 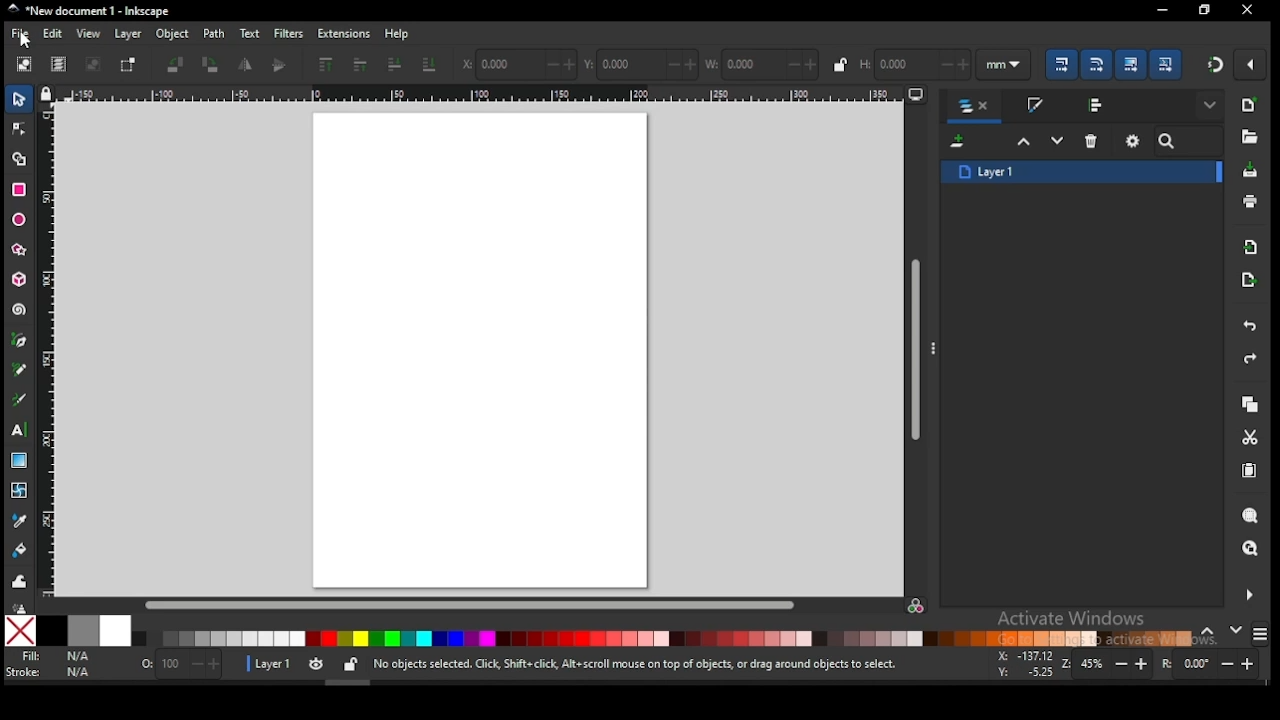 I want to click on calligraphy tool, so click(x=23, y=399).